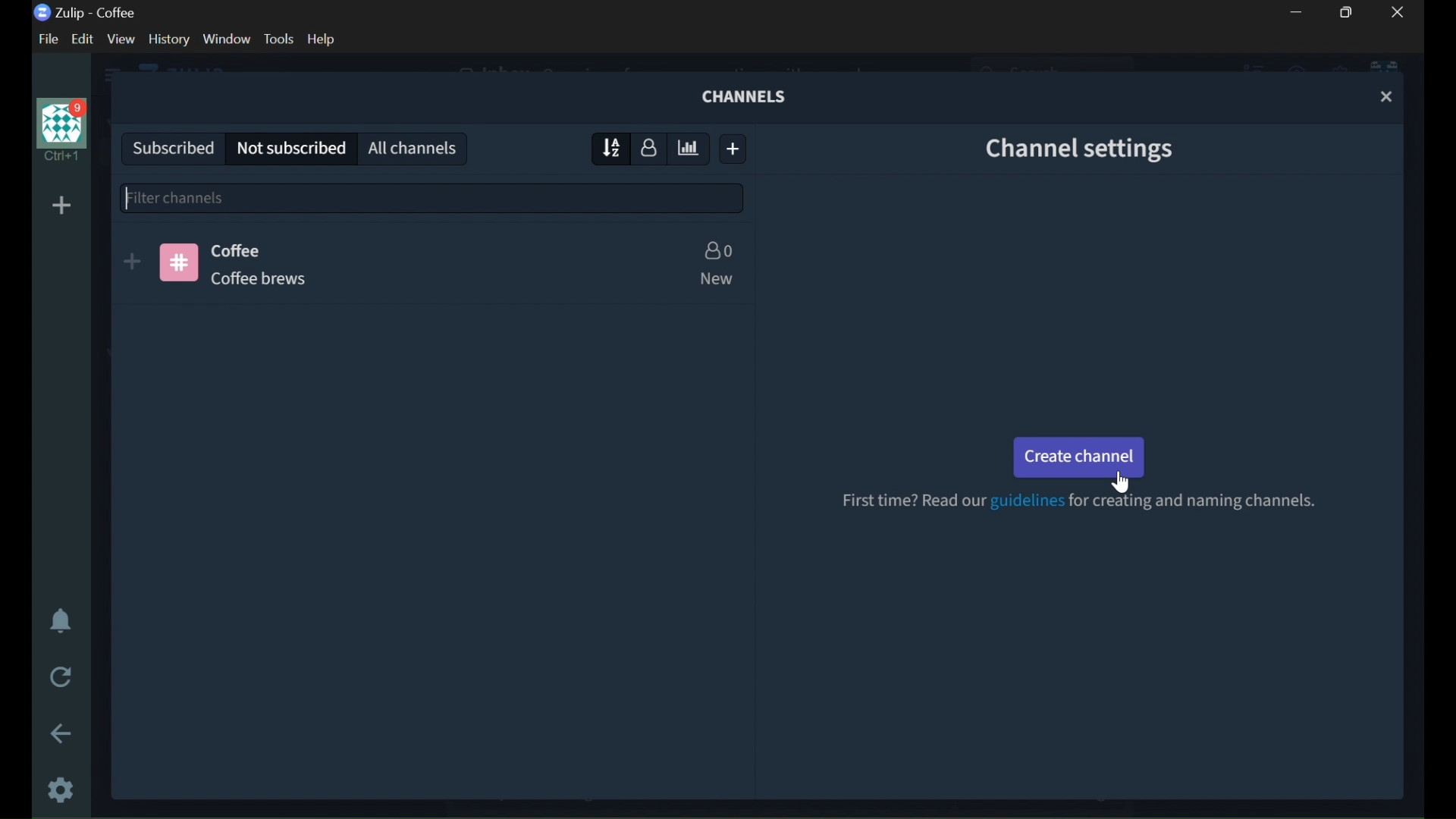 The width and height of the screenshot is (1456, 819). Describe the element at coordinates (905, 500) in the screenshot. I see `FIRST TIME? READ OUR` at that location.